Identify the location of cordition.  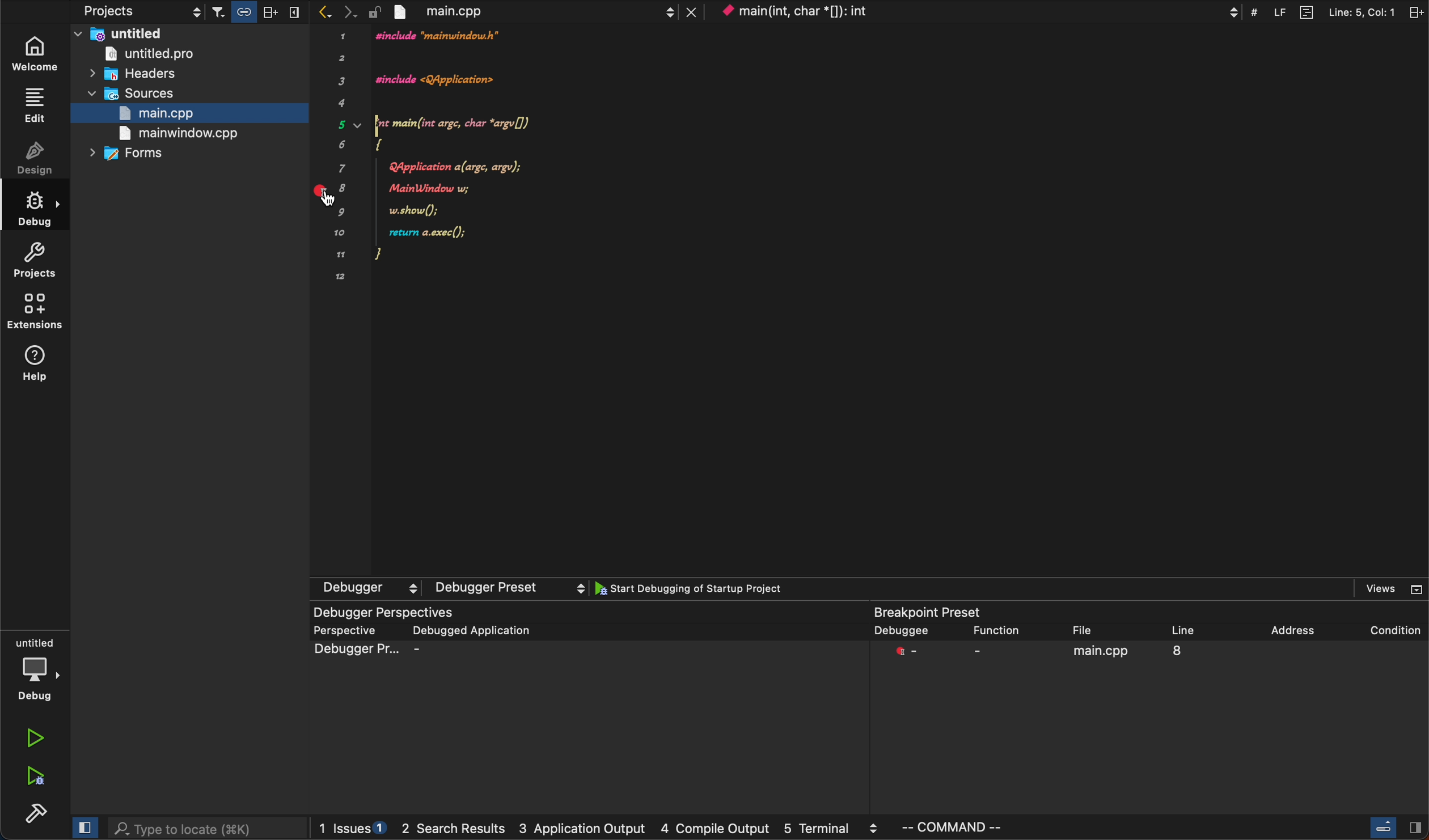
(1386, 625).